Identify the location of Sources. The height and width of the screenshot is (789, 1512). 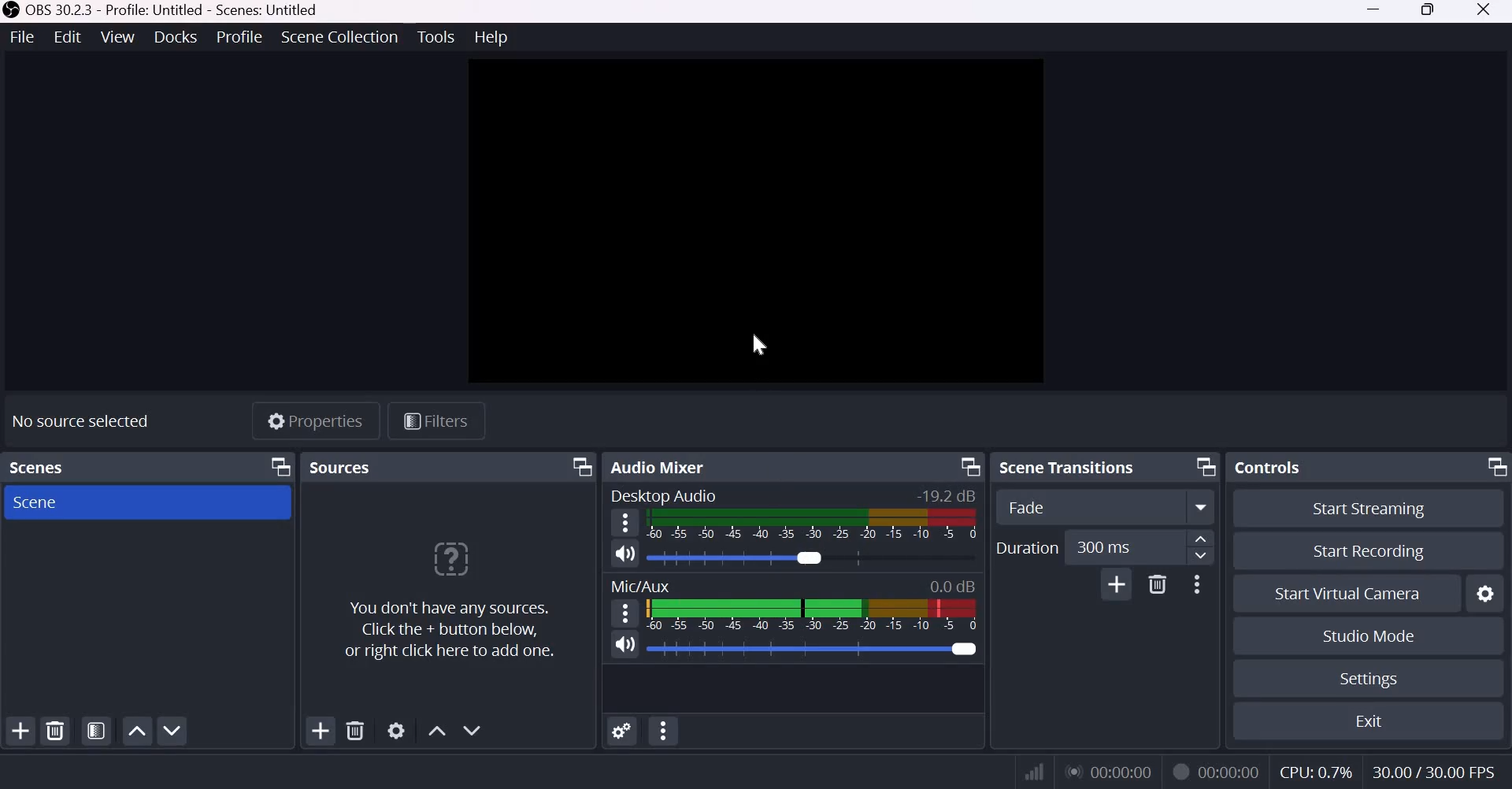
(339, 467).